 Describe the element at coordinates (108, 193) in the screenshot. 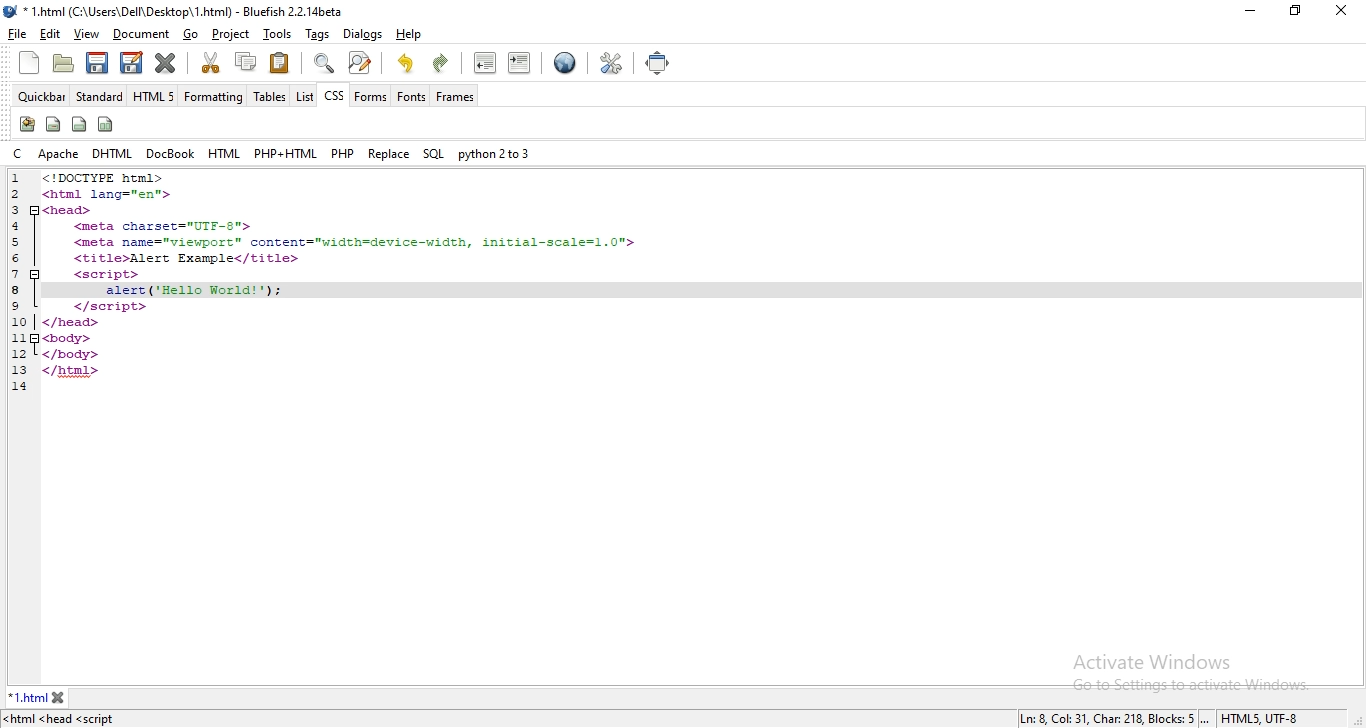

I see `<html lang="en">` at that location.